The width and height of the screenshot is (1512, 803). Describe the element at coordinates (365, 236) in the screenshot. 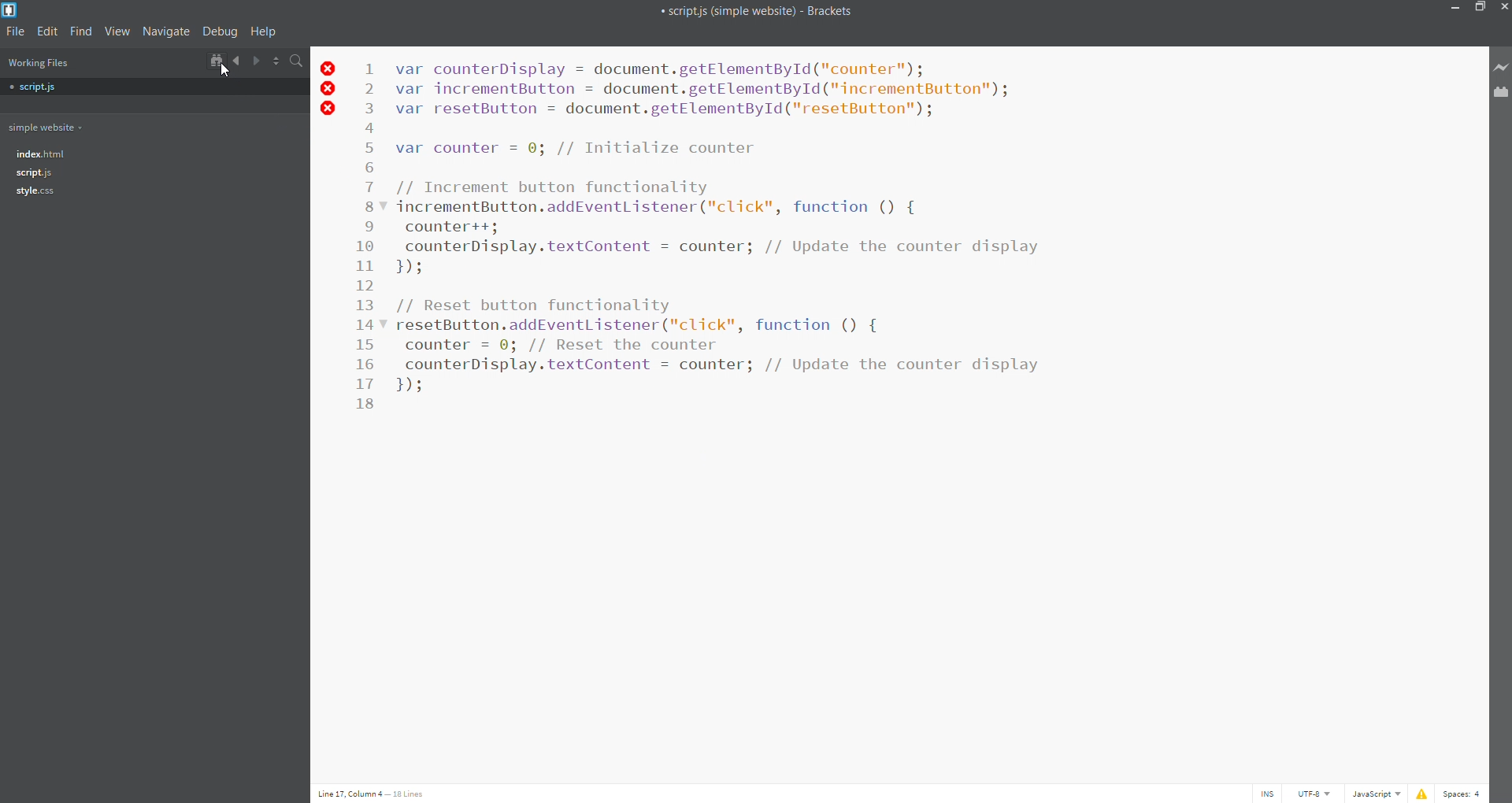

I see `line number` at that location.